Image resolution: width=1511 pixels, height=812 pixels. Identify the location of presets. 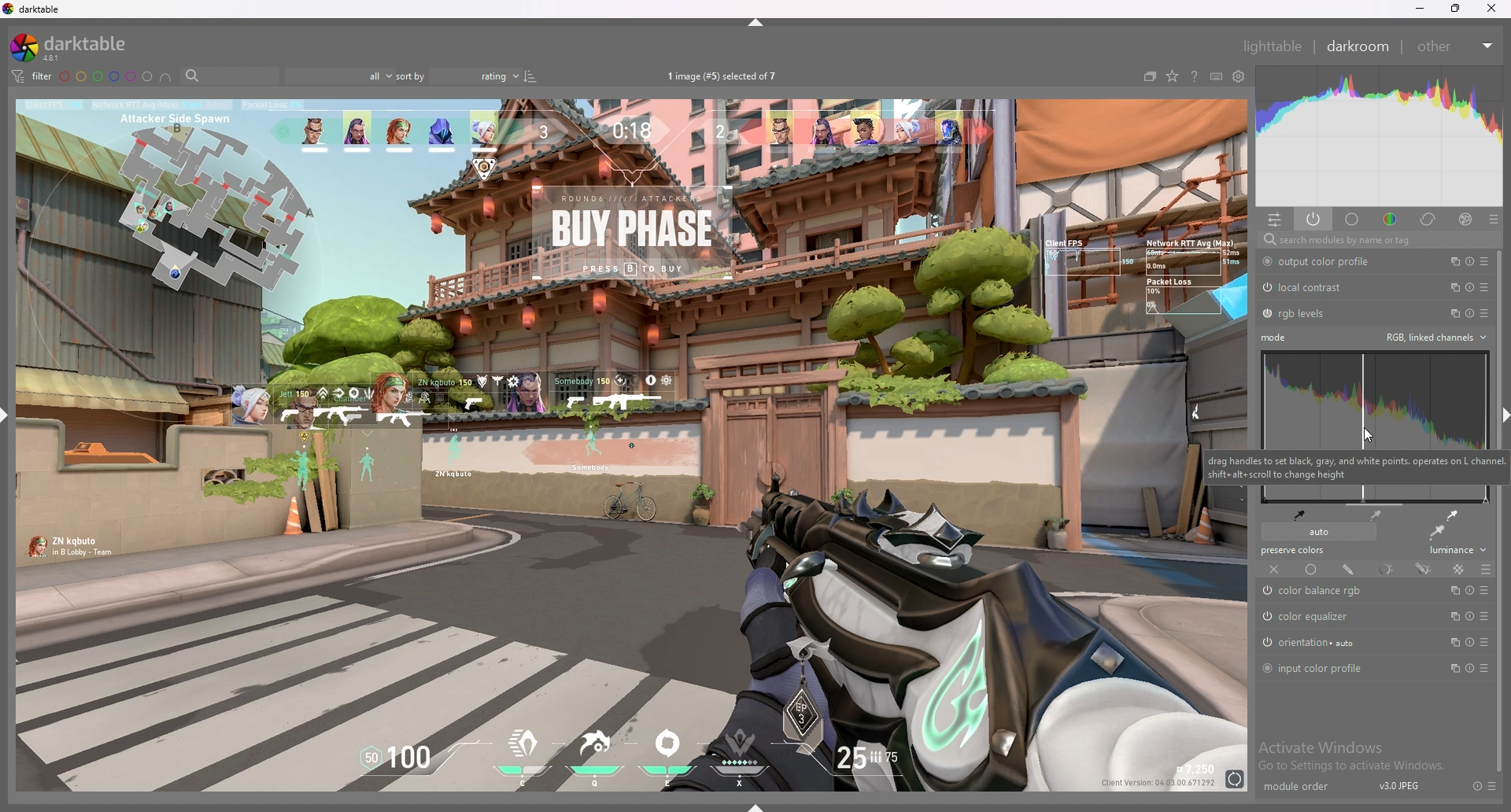
(1493, 219).